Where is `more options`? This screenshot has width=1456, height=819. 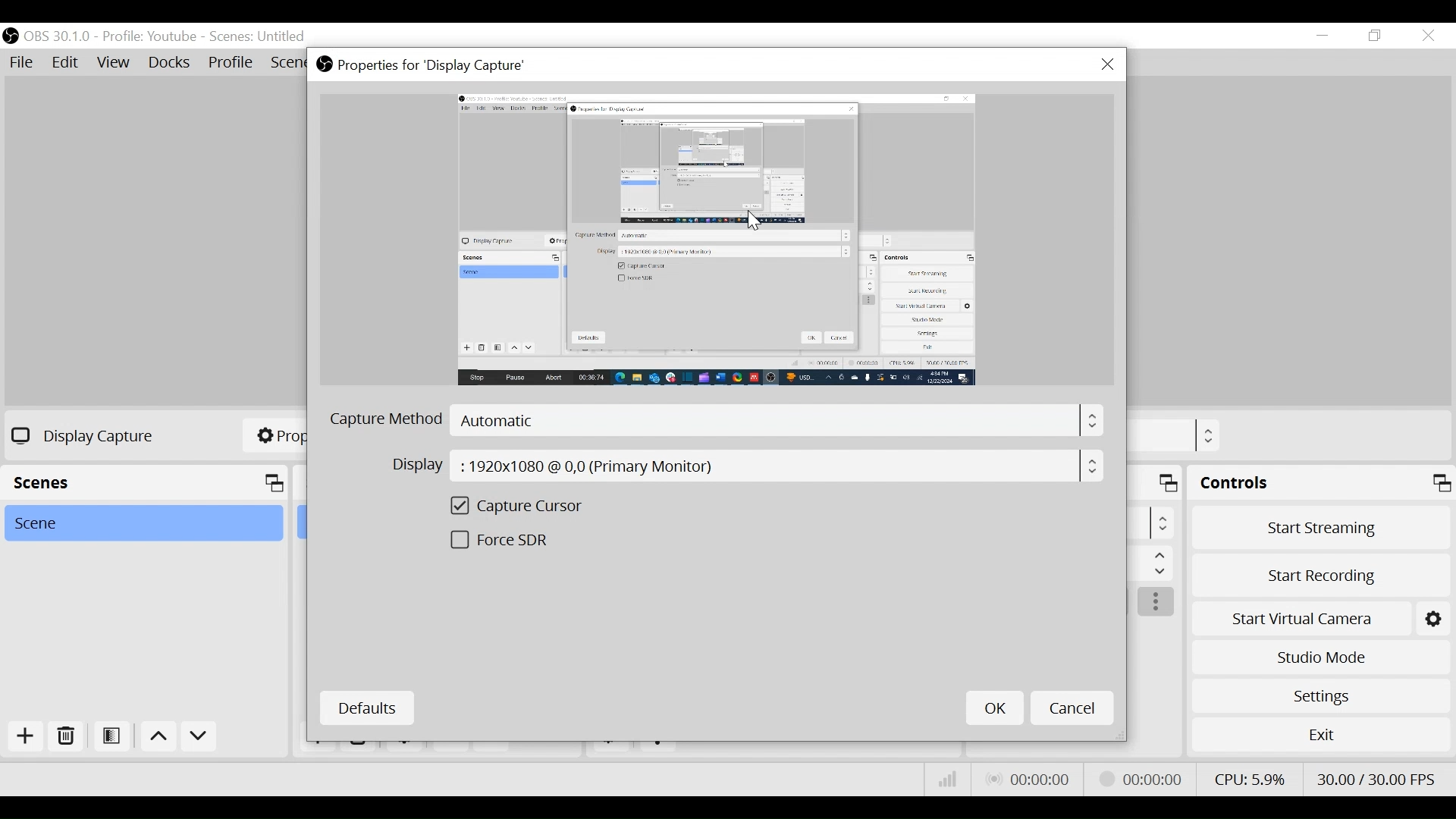 more options is located at coordinates (1156, 602).